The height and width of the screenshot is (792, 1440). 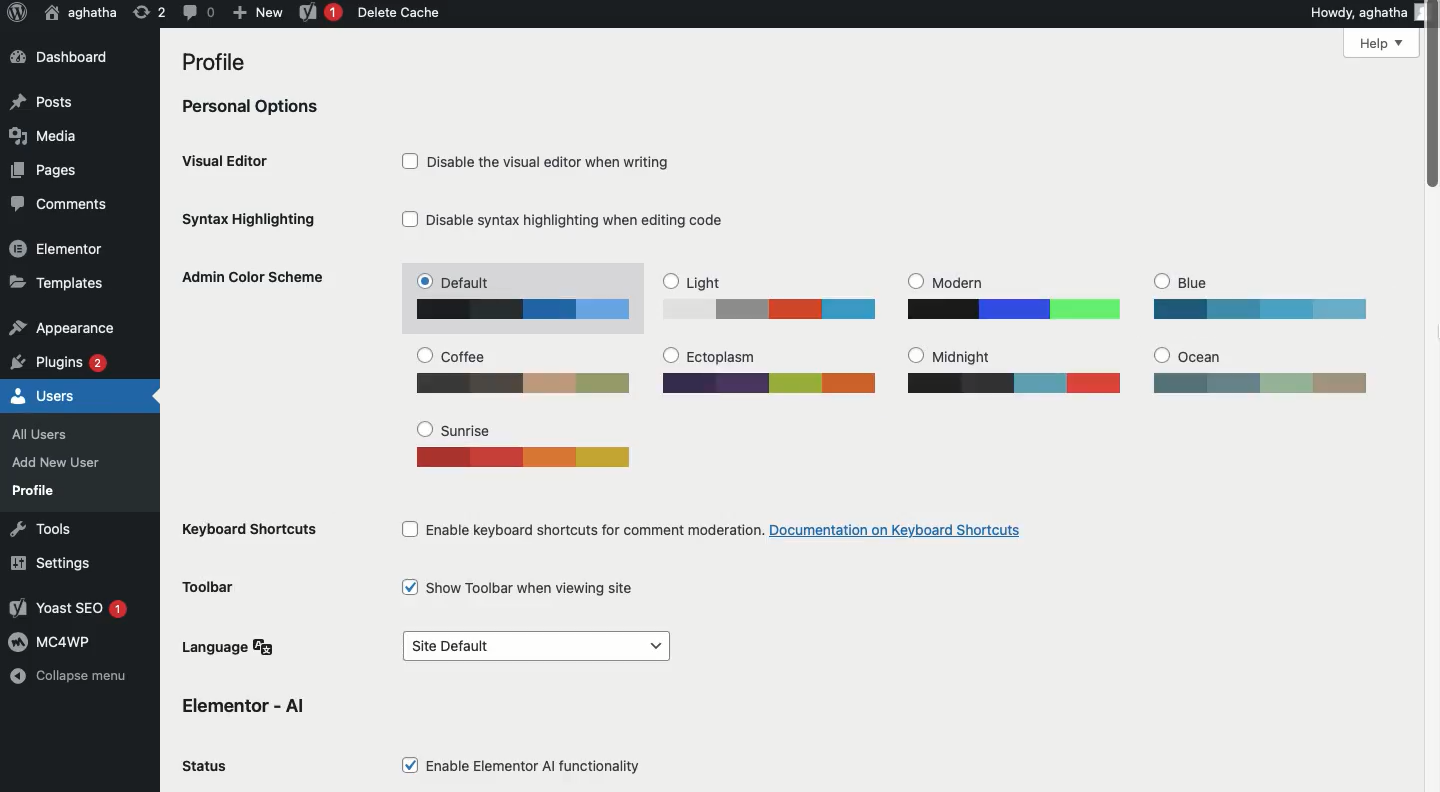 I want to click on Logo, so click(x=16, y=13).